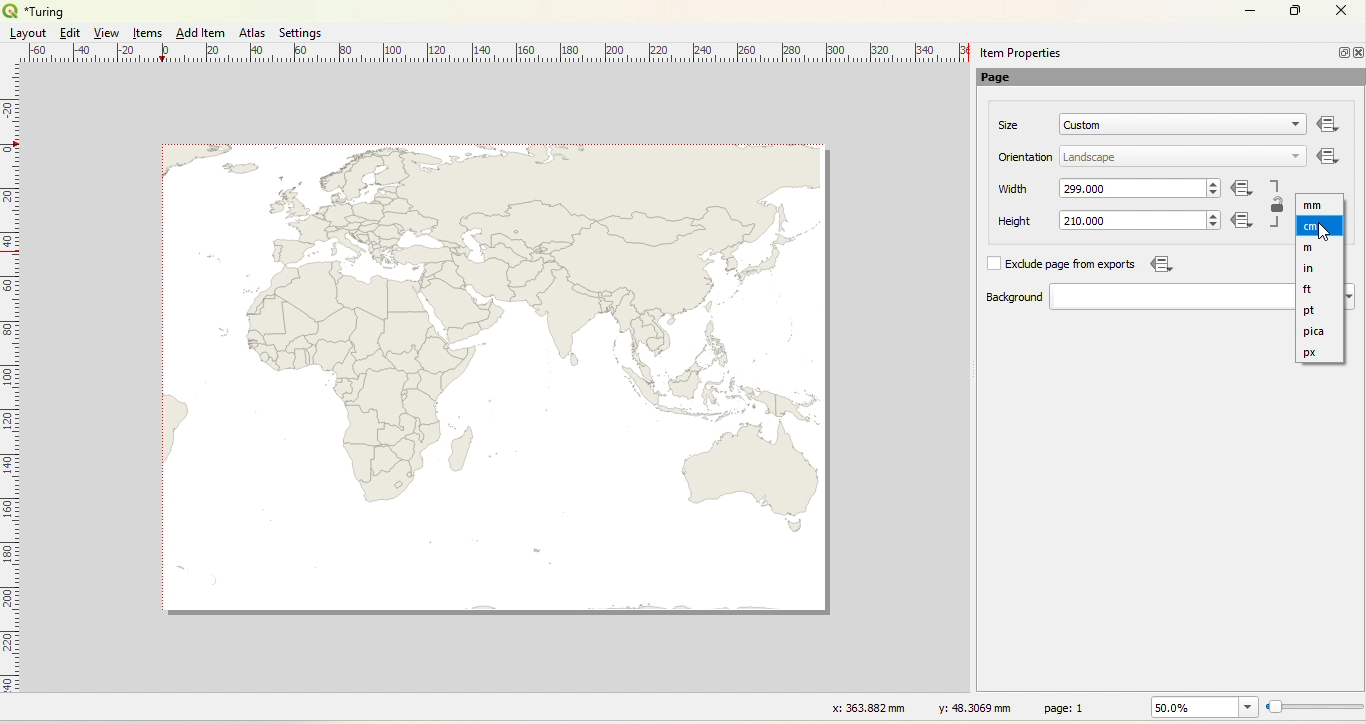 The image size is (1366, 724). Describe the element at coordinates (1308, 290) in the screenshot. I see `feet` at that location.